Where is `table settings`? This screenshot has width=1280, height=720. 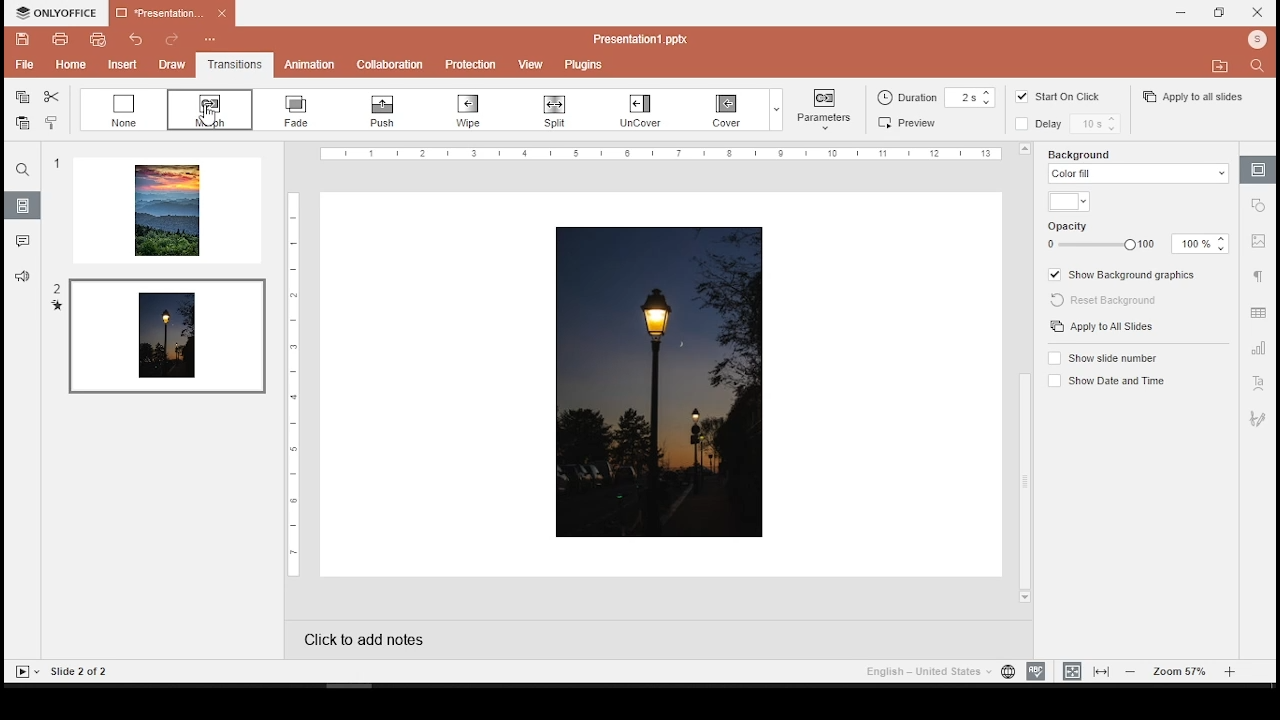 table settings is located at coordinates (1259, 314).